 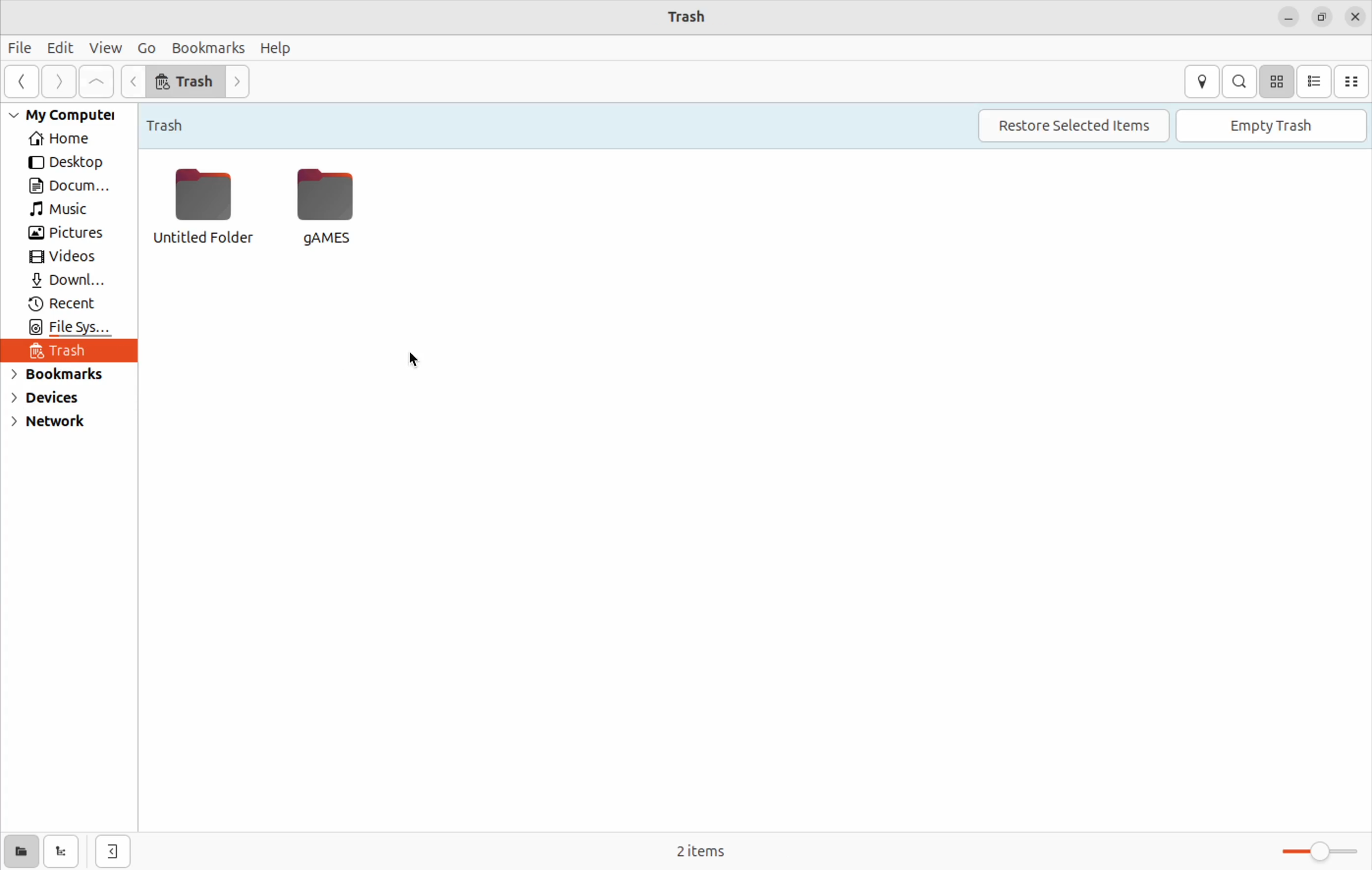 I want to click on File system, so click(x=66, y=329).